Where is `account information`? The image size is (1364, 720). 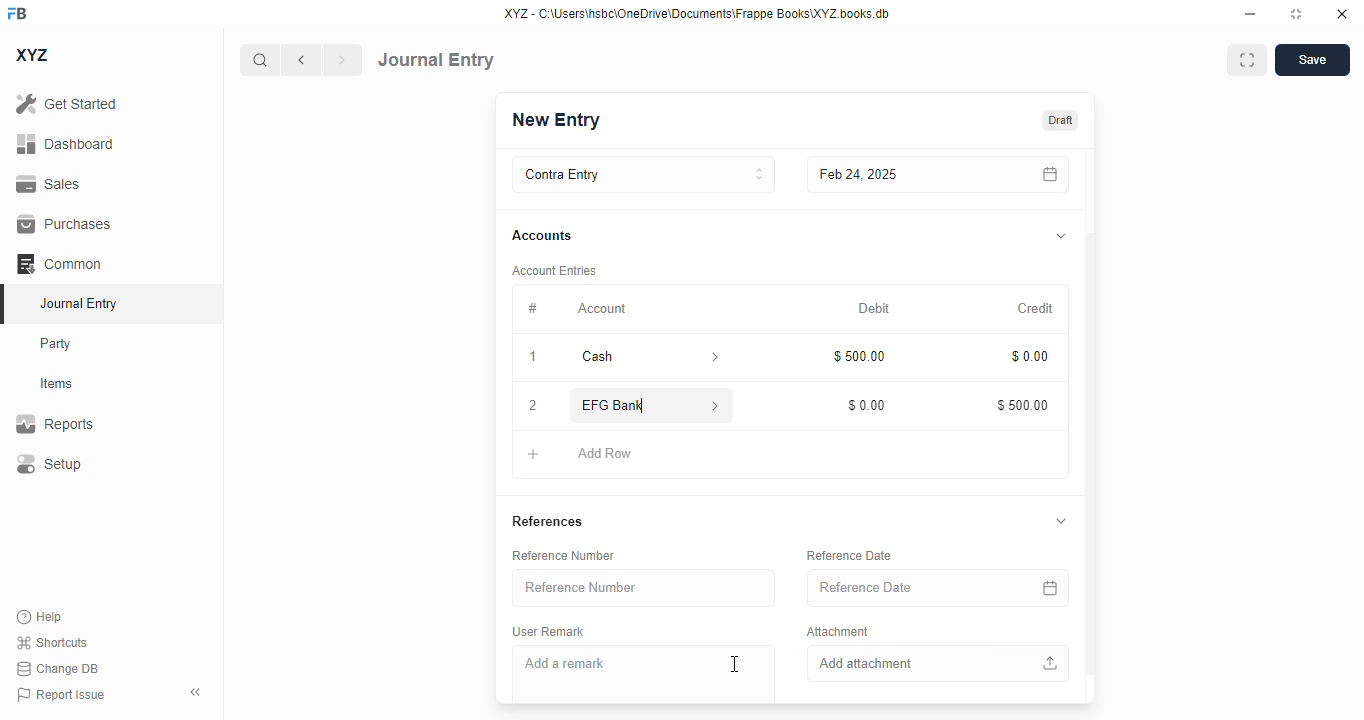 account information is located at coordinates (709, 357).